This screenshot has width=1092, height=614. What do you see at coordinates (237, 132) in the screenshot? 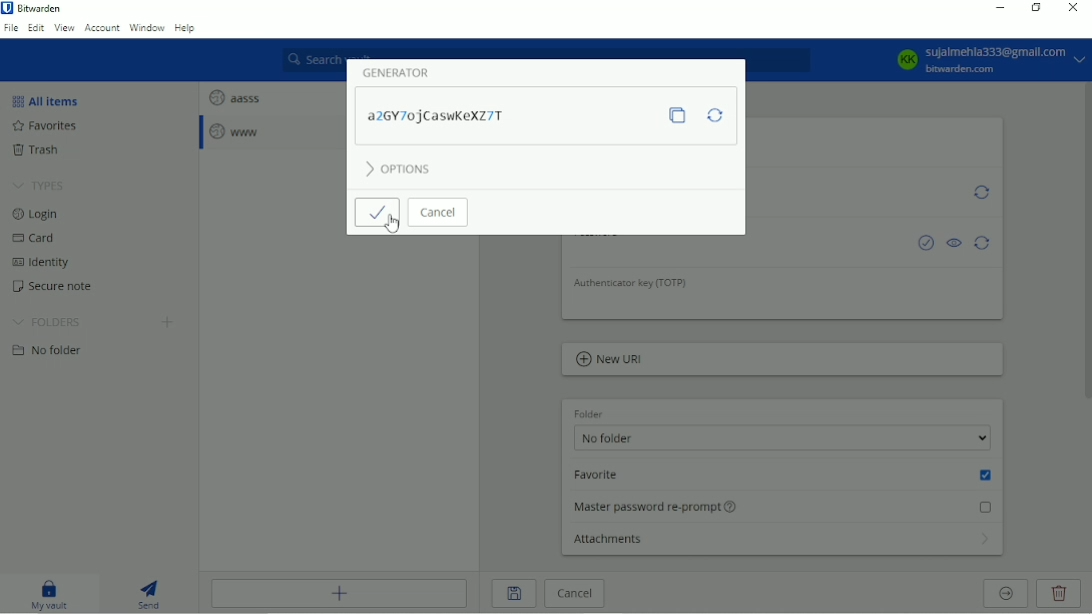
I see `www` at bounding box center [237, 132].